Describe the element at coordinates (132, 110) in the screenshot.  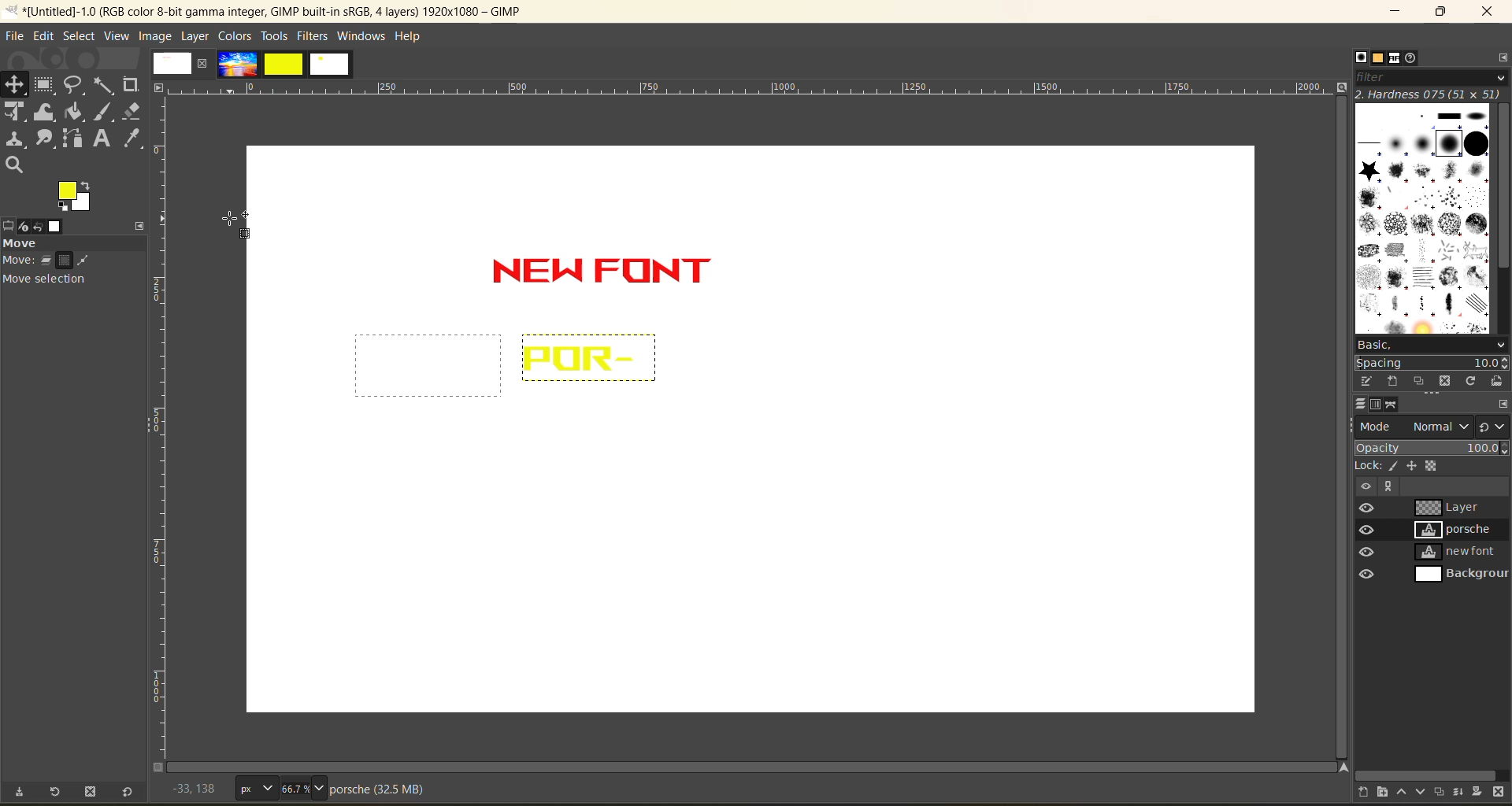
I see `erase` at that location.